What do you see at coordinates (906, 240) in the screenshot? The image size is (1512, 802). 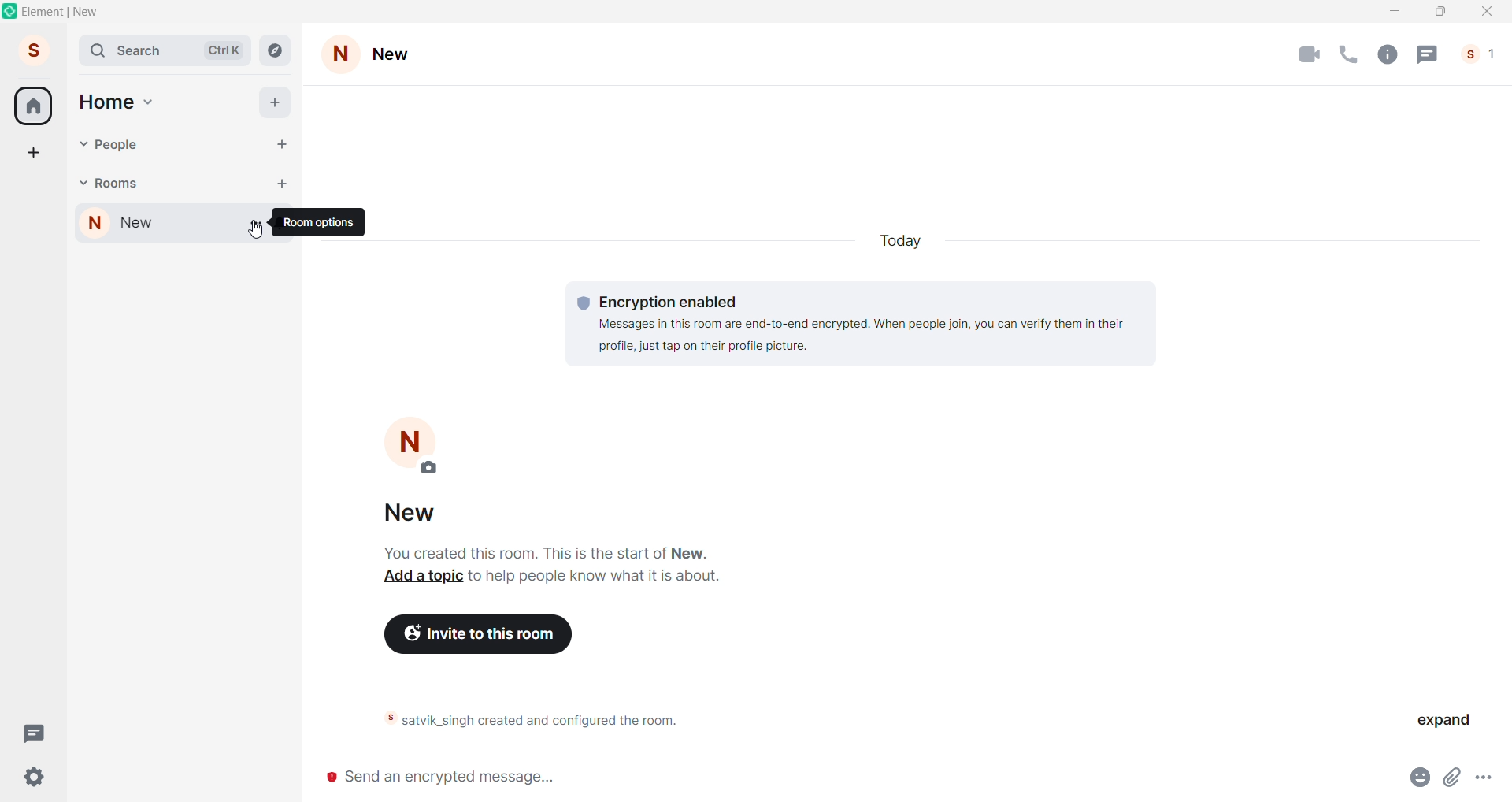 I see `Today` at bounding box center [906, 240].